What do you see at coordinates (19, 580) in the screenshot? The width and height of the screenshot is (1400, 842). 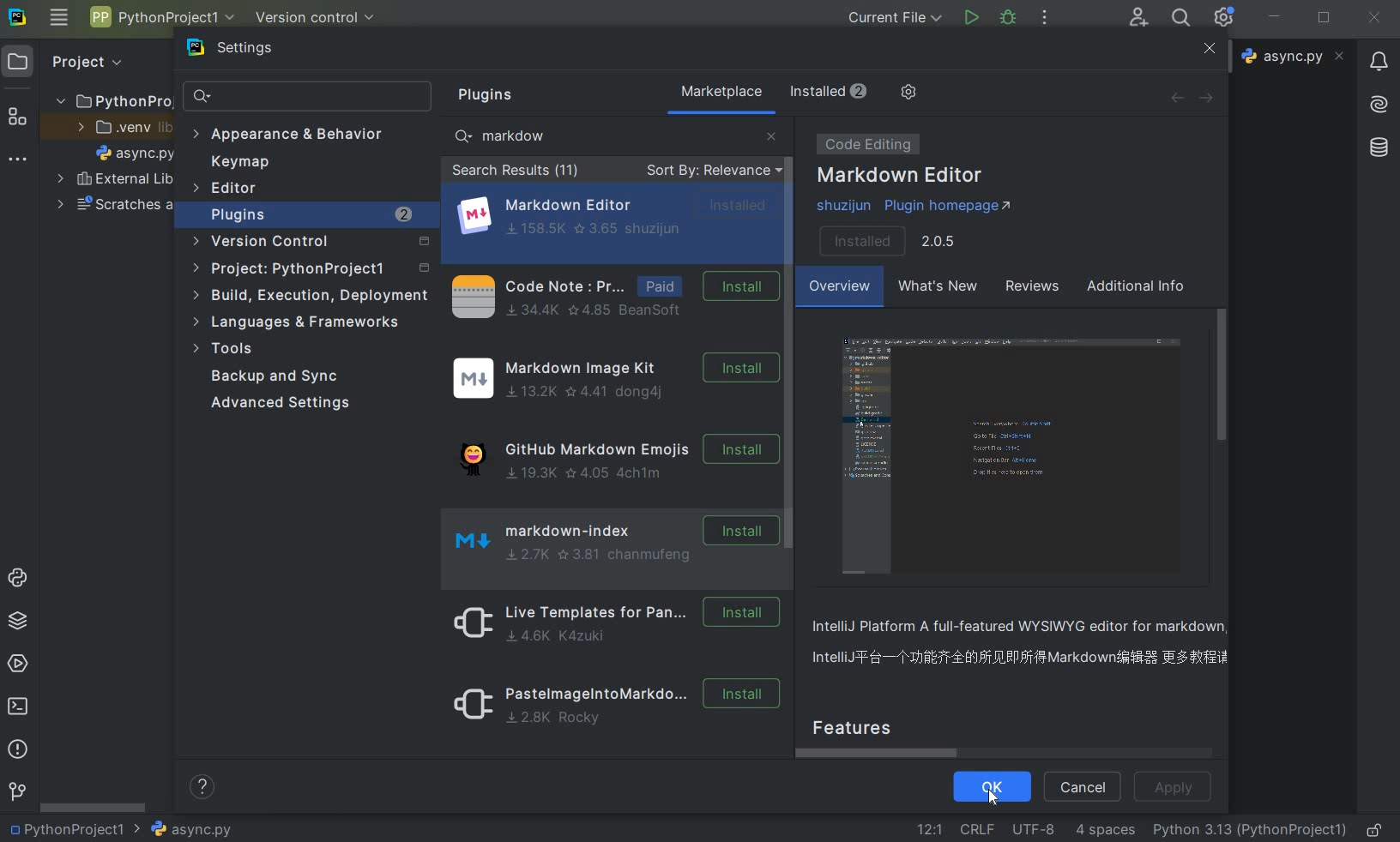 I see `python console` at bounding box center [19, 580].